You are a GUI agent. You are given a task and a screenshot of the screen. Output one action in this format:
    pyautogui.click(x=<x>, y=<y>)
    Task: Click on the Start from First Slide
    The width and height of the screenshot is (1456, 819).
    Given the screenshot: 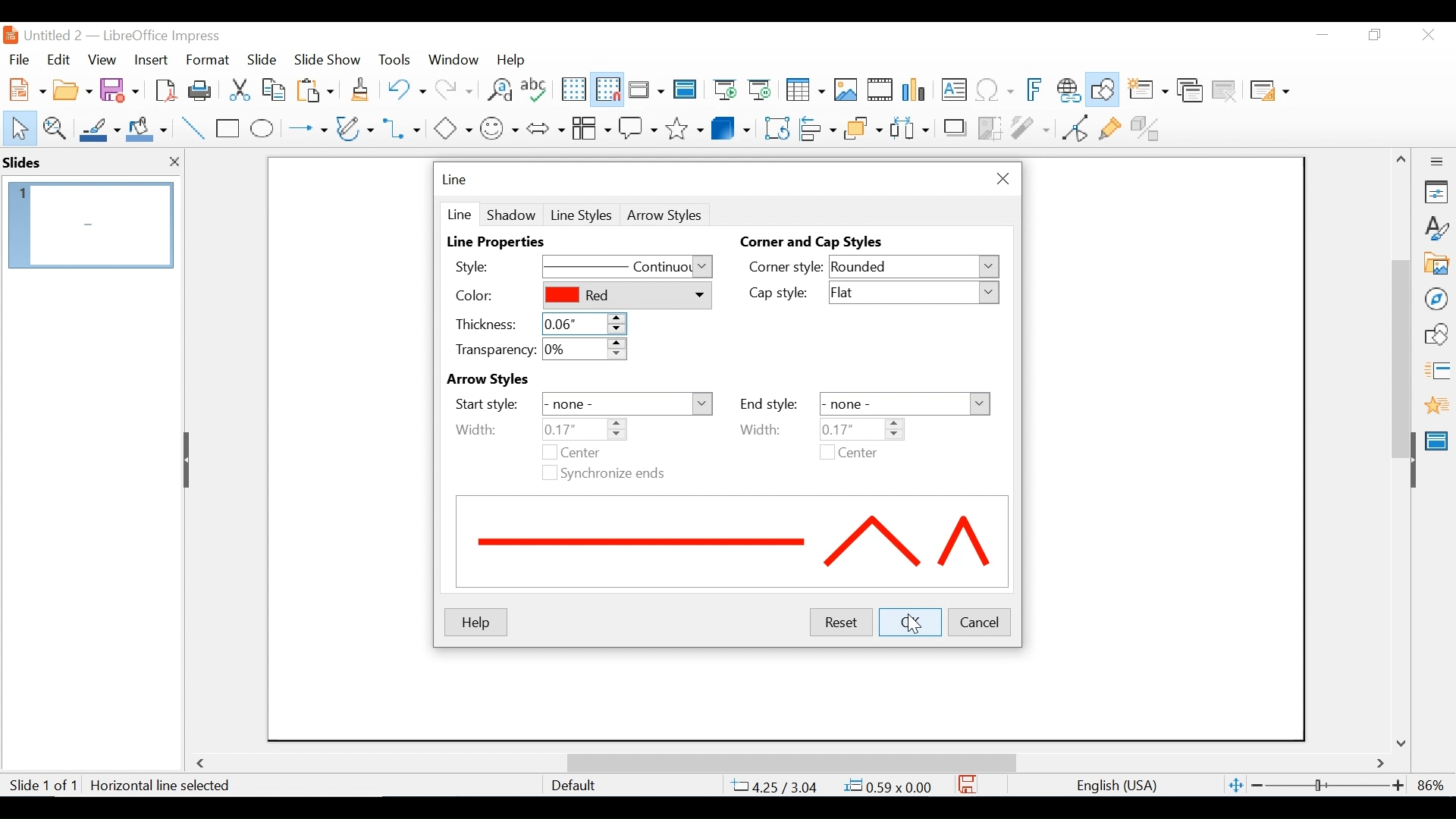 What is the action you would take?
    pyautogui.click(x=723, y=91)
    